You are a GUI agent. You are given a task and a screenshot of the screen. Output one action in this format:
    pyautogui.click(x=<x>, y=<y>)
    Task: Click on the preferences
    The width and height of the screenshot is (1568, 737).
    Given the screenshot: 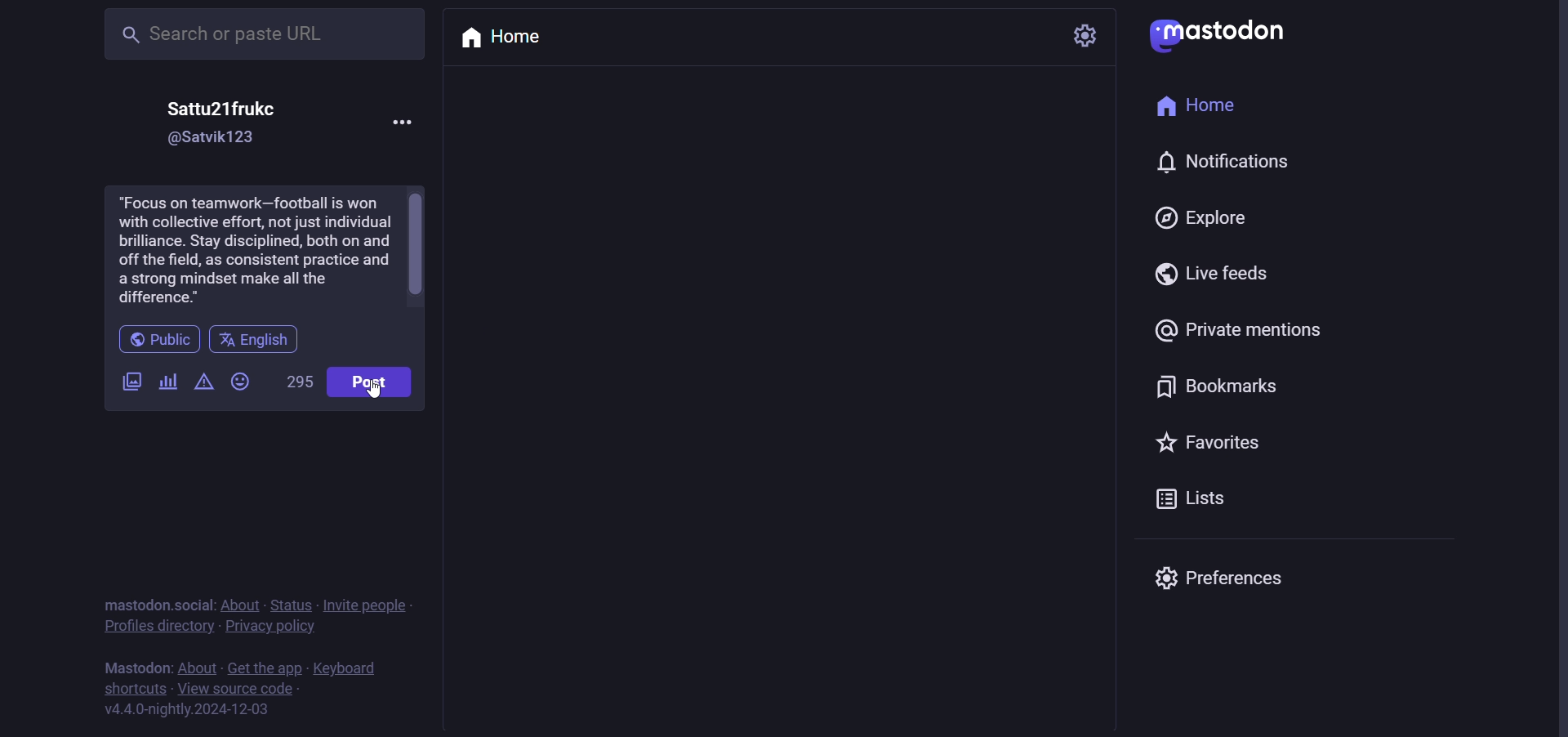 What is the action you would take?
    pyautogui.click(x=1218, y=577)
    